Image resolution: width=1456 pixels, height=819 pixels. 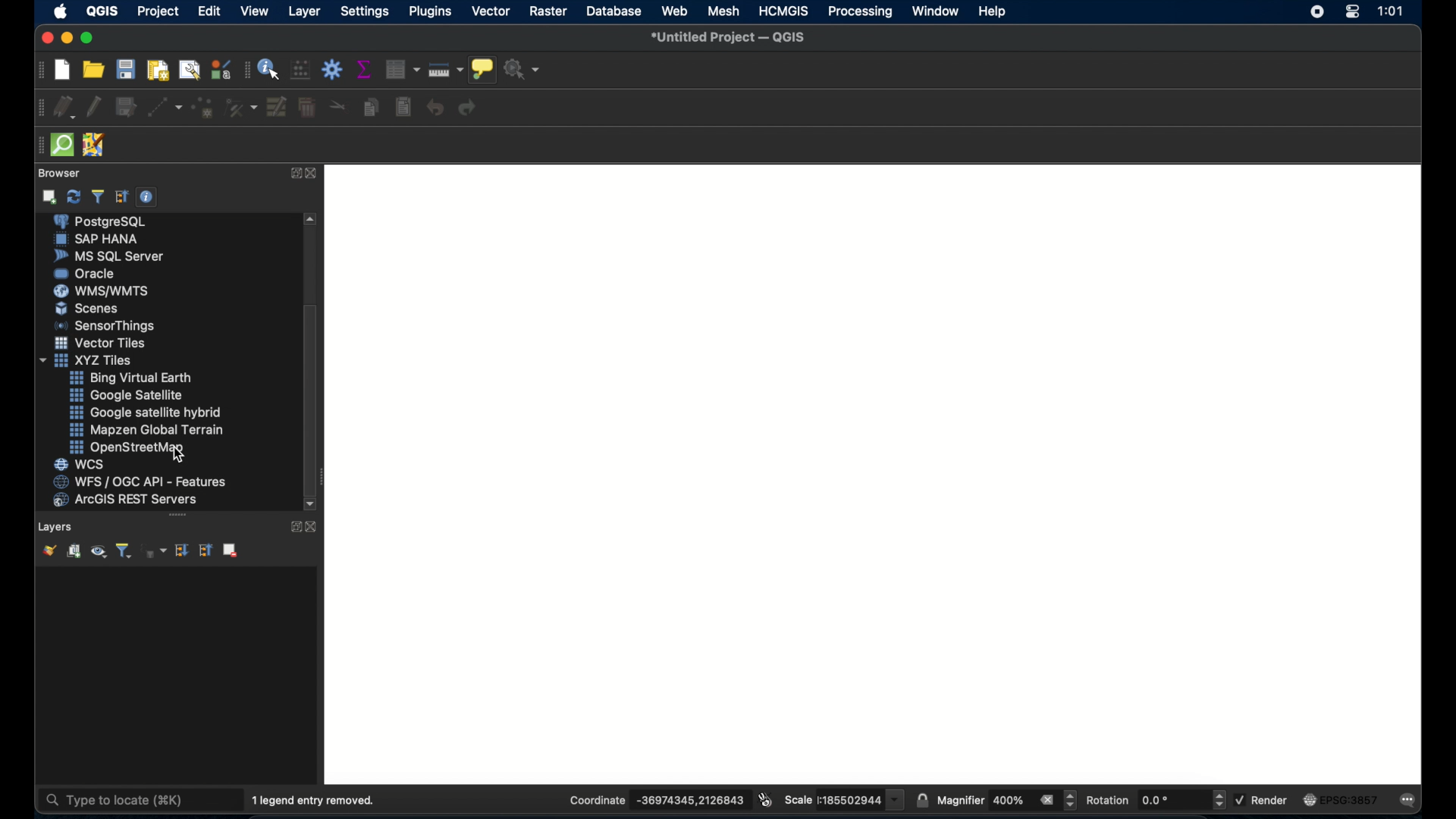 I want to click on expand, so click(x=293, y=526).